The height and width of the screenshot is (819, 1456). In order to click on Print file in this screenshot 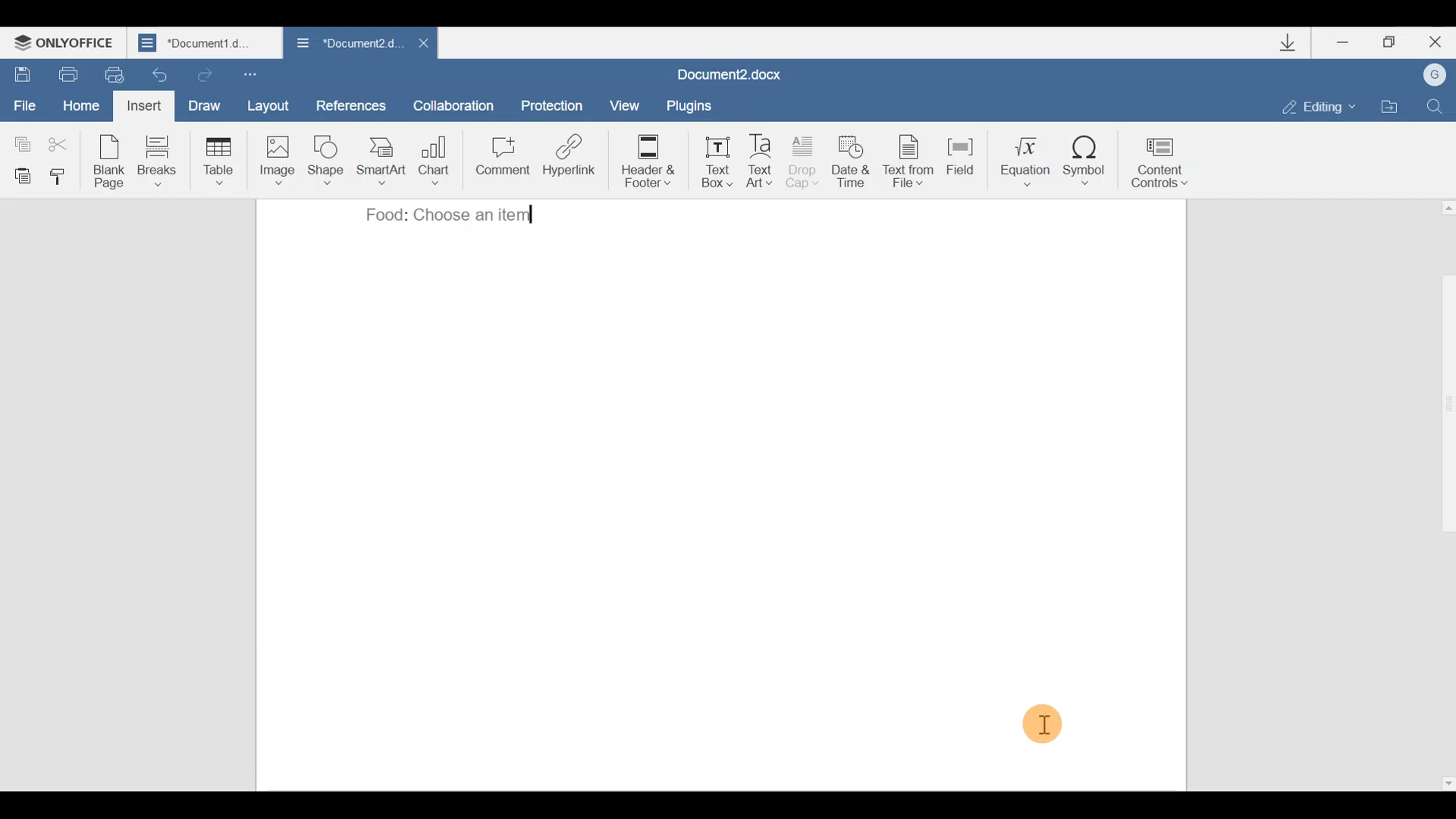, I will do `click(64, 74)`.